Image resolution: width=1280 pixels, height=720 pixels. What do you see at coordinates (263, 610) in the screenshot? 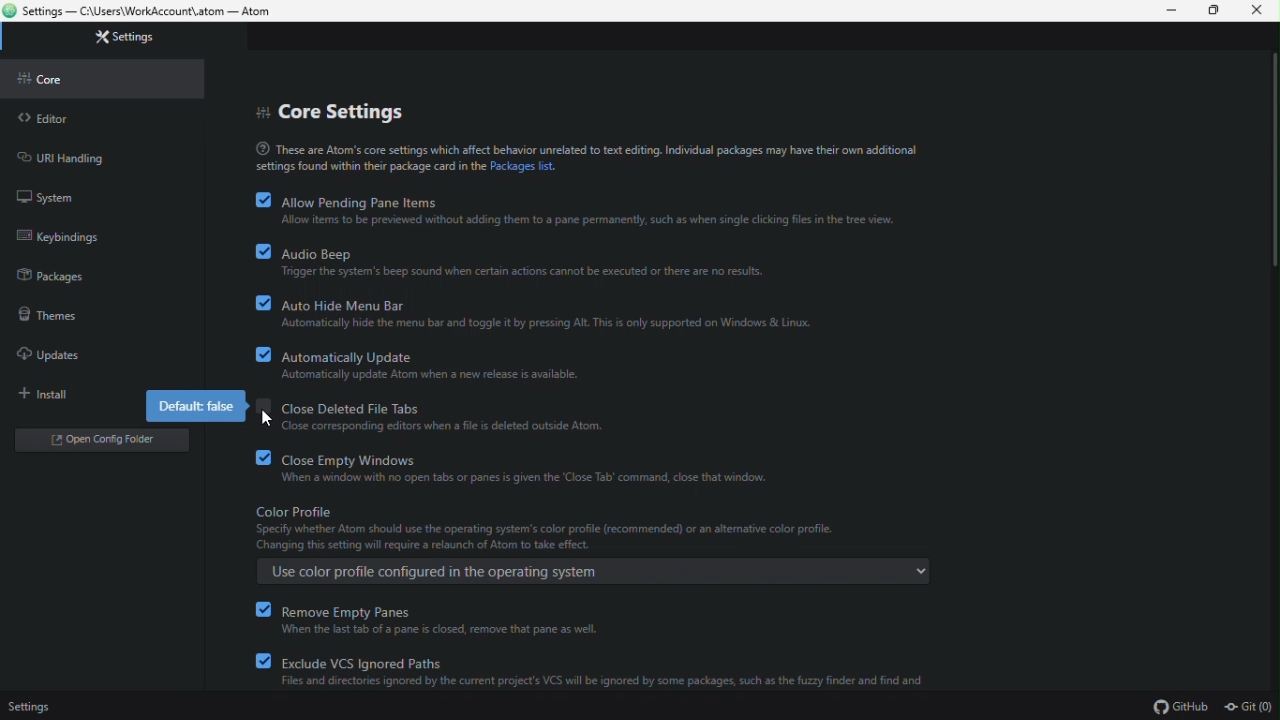
I see `checkbox` at bounding box center [263, 610].